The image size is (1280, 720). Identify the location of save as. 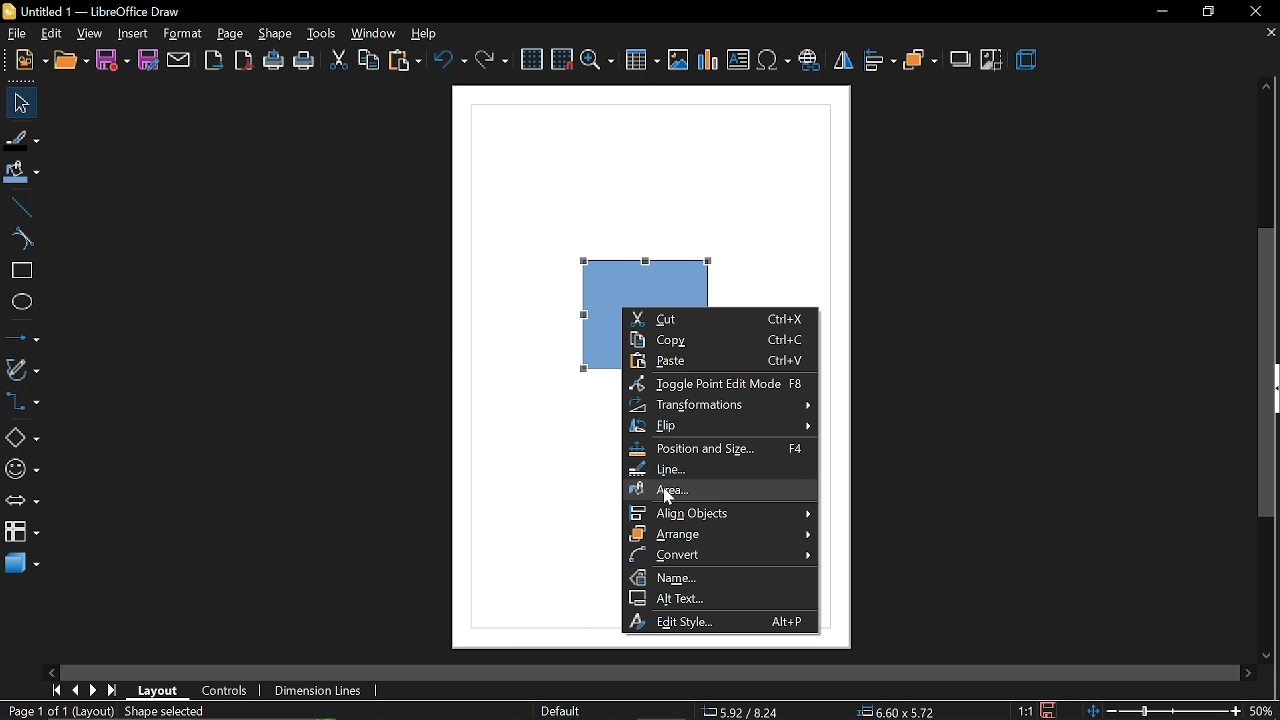
(150, 61).